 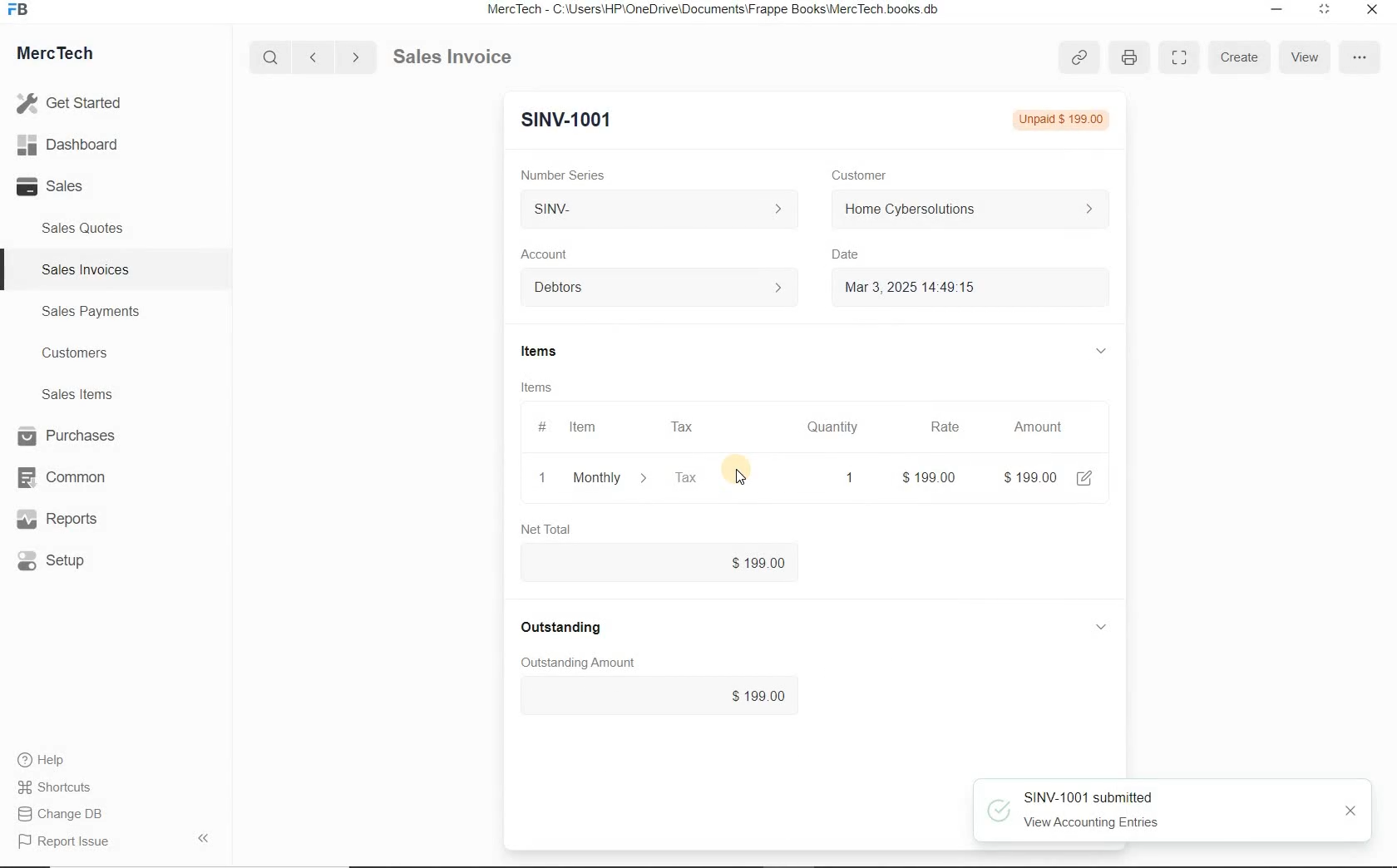 What do you see at coordinates (75, 186) in the screenshot?
I see `Sales` at bounding box center [75, 186].